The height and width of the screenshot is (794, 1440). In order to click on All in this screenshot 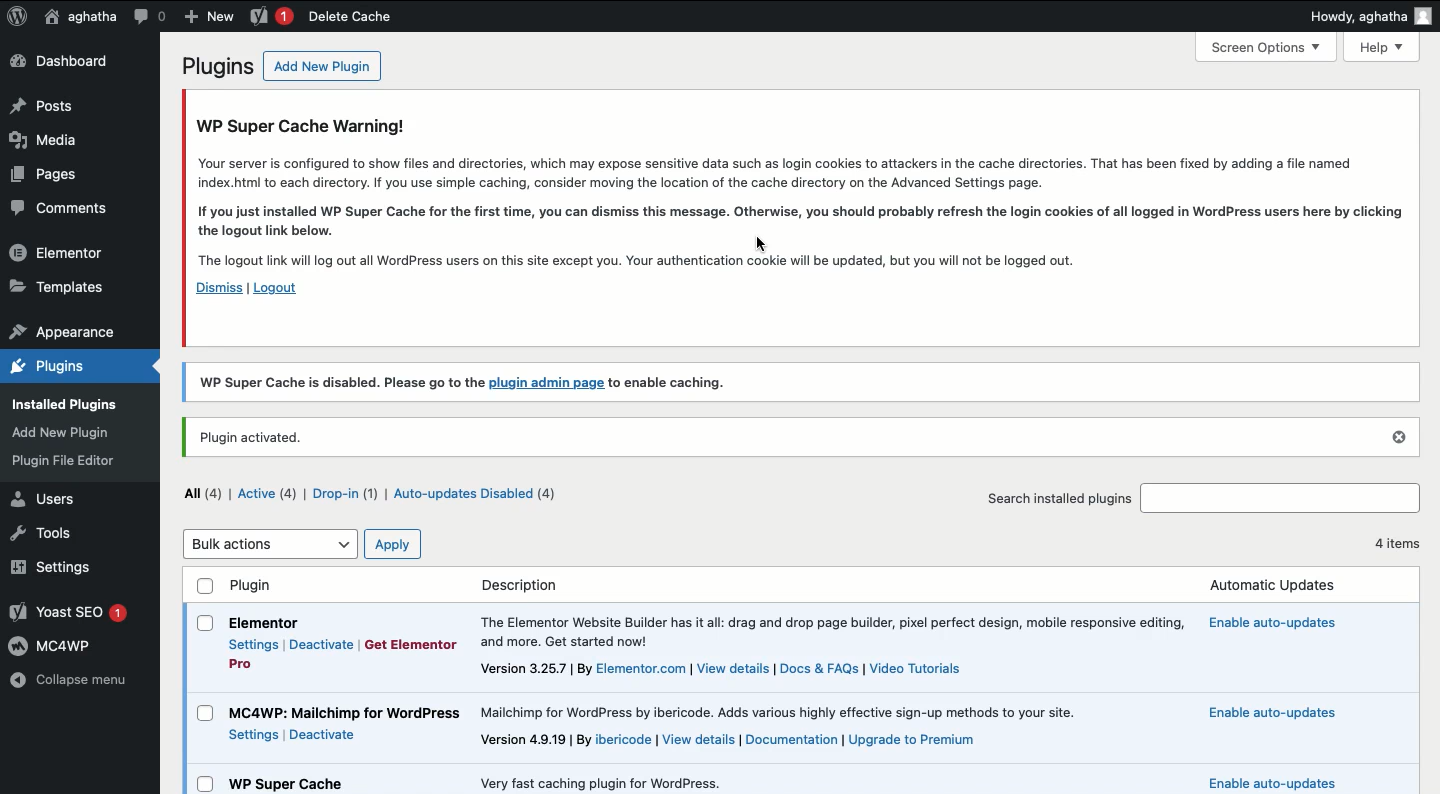, I will do `click(203, 493)`.